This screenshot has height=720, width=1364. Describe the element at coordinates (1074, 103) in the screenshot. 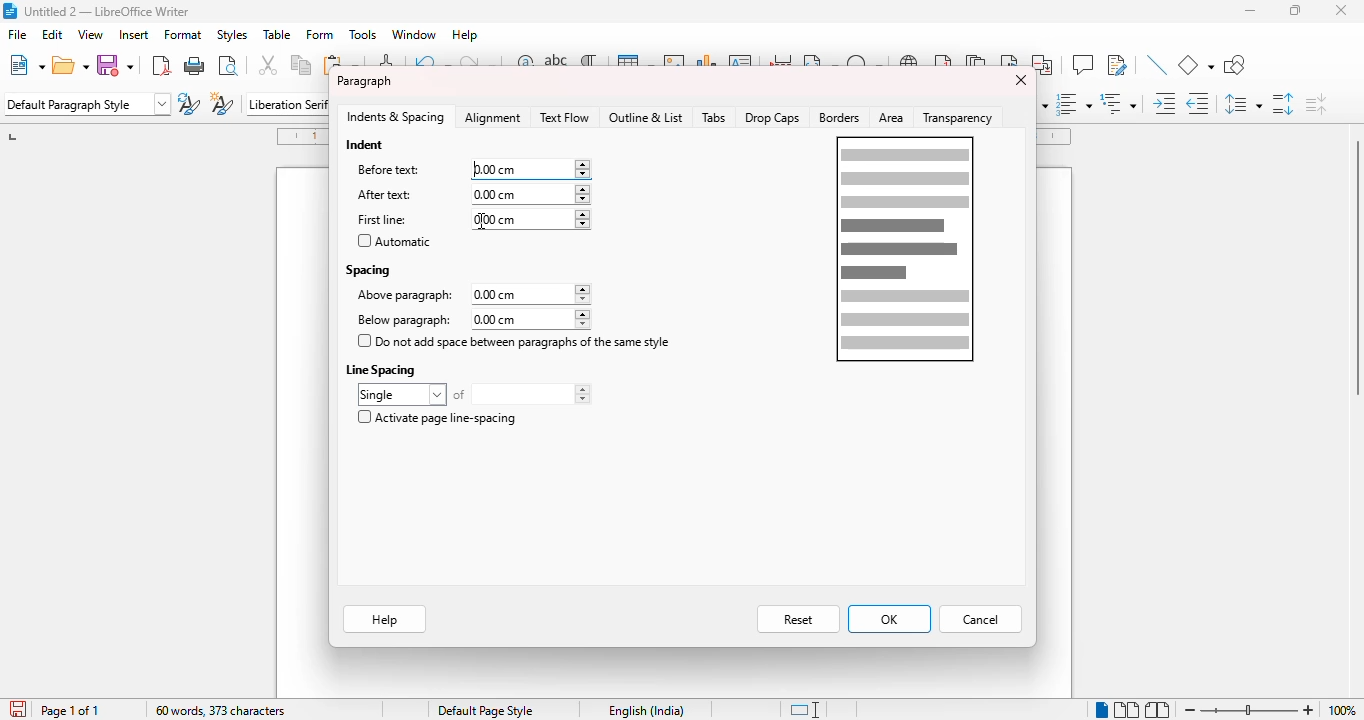

I see `toggle ordered list` at that location.